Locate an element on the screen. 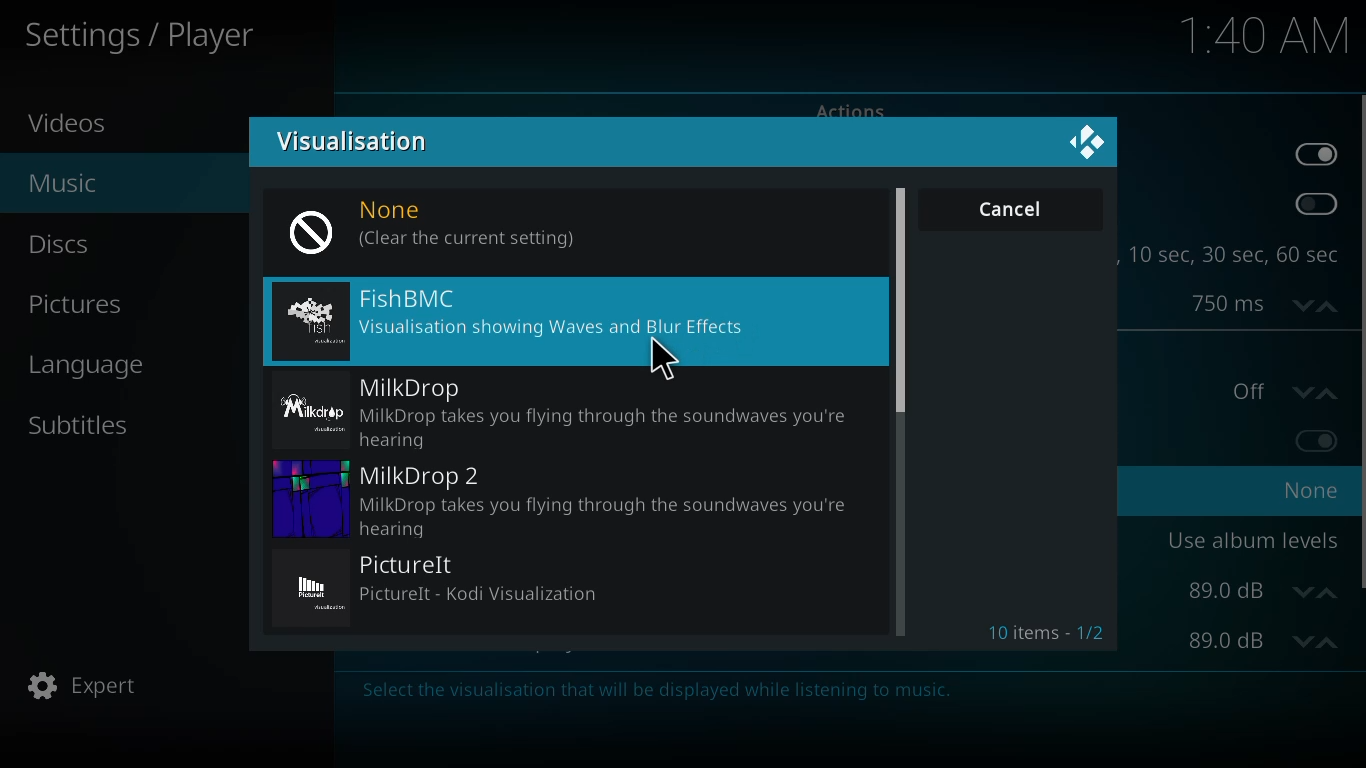 This screenshot has height=768, width=1366. enable is located at coordinates (1318, 439).